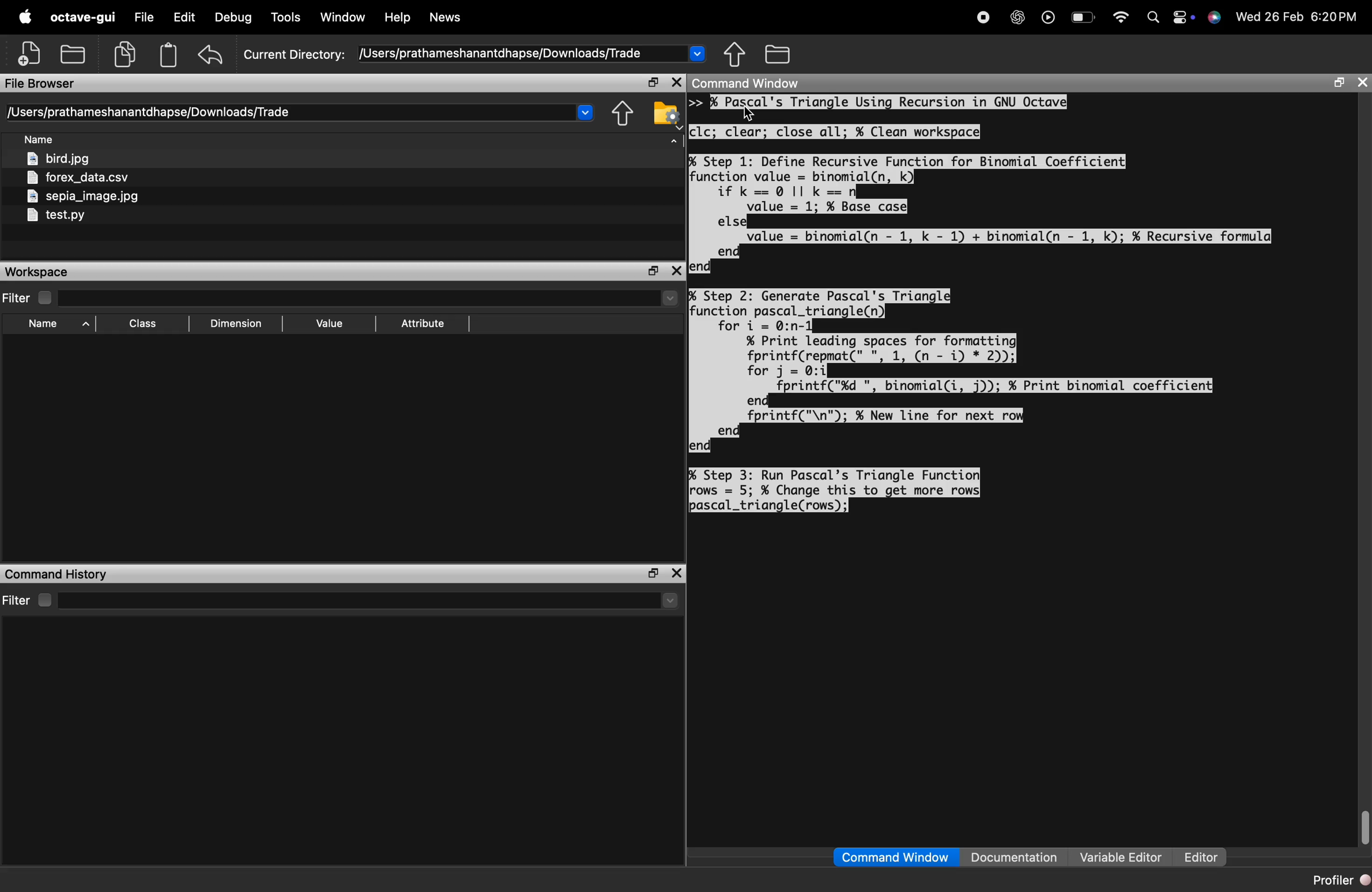 Image resolution: width=1372 pixels, height=892 pixels. I want to click on Command Window, so click(895, 857).